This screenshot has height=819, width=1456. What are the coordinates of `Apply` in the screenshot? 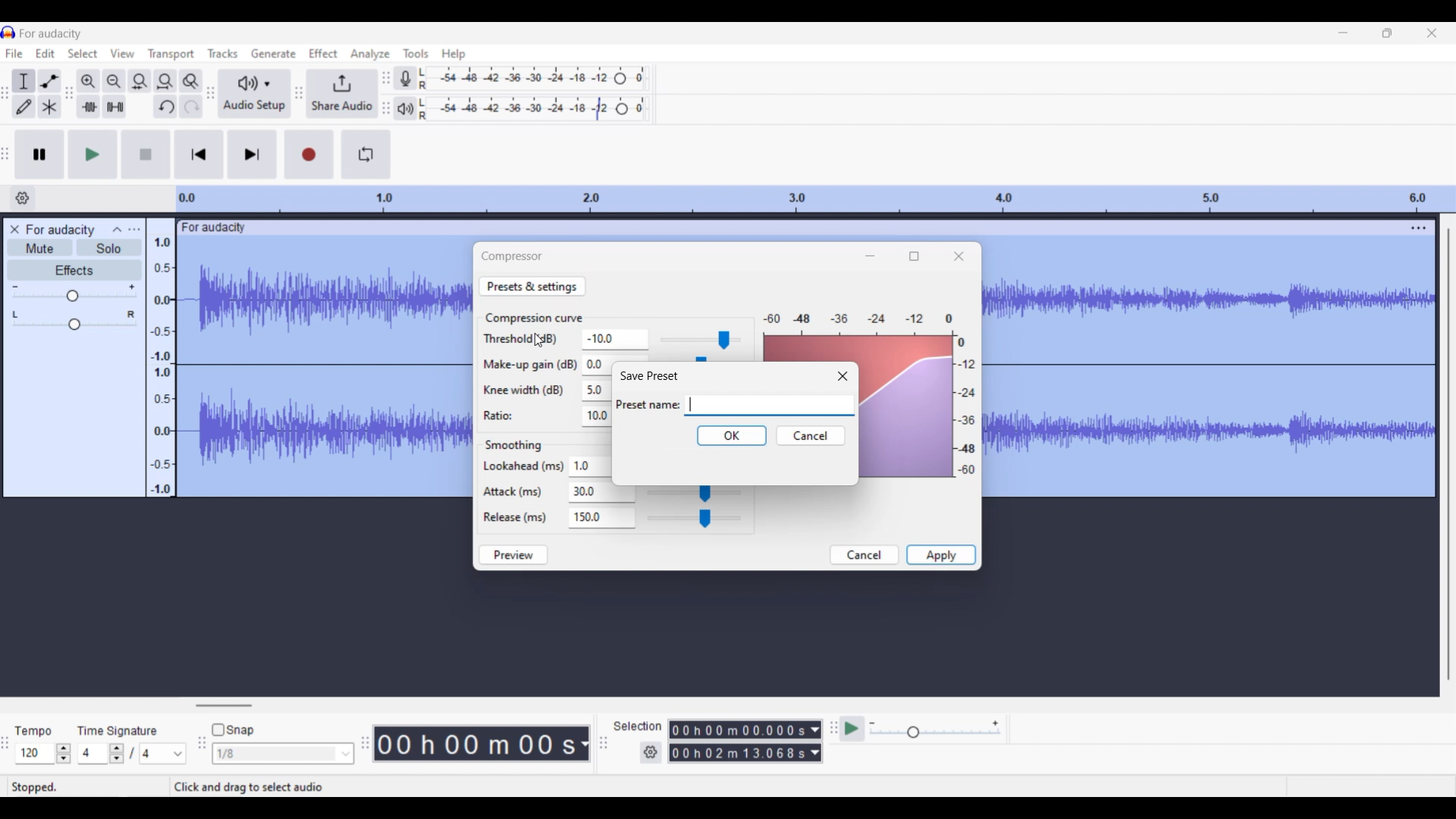 It's located at (941, 554).